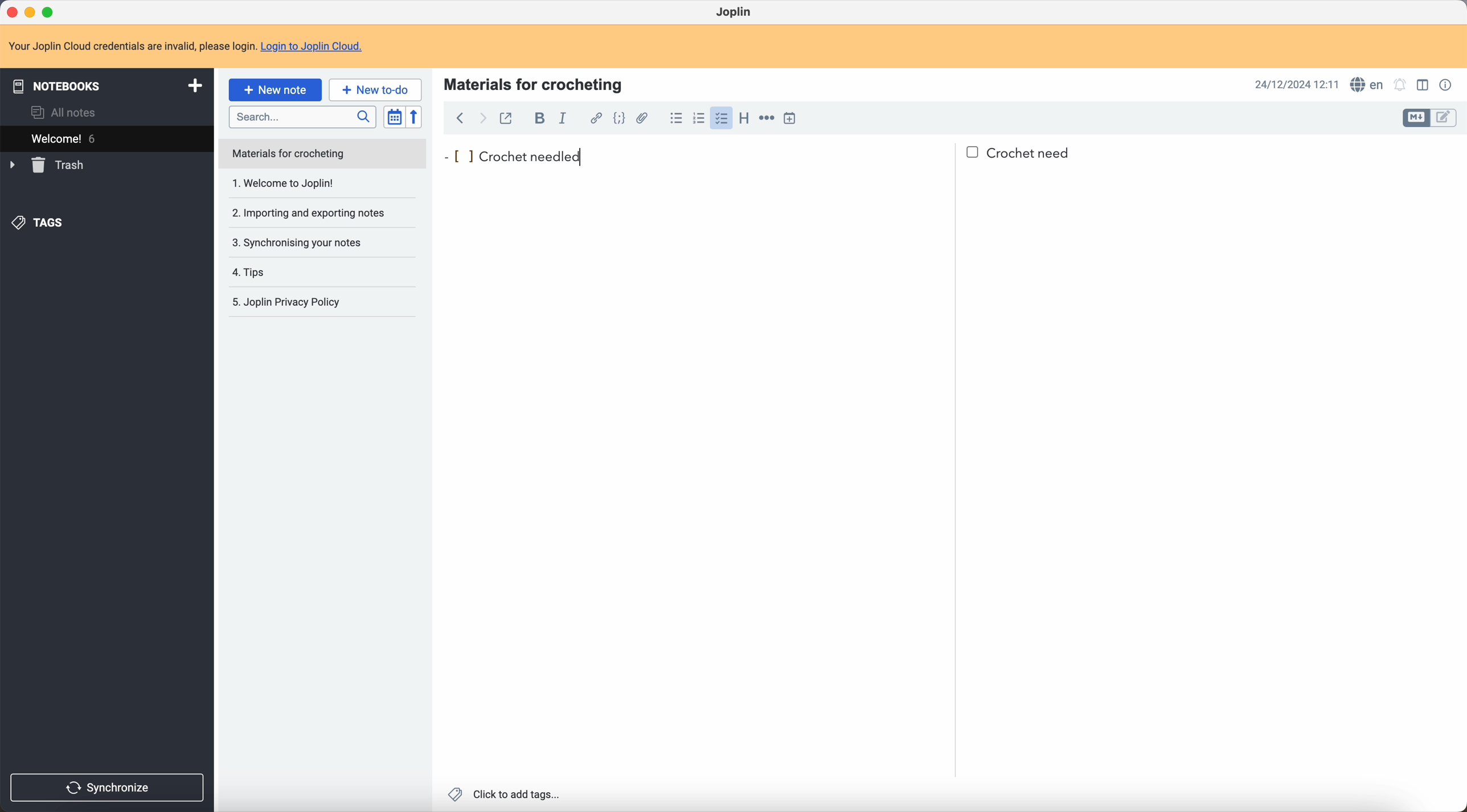 Image resolution: width=1467 pixels, height=812 pixels. I want to click on bold, so click(536, 118).